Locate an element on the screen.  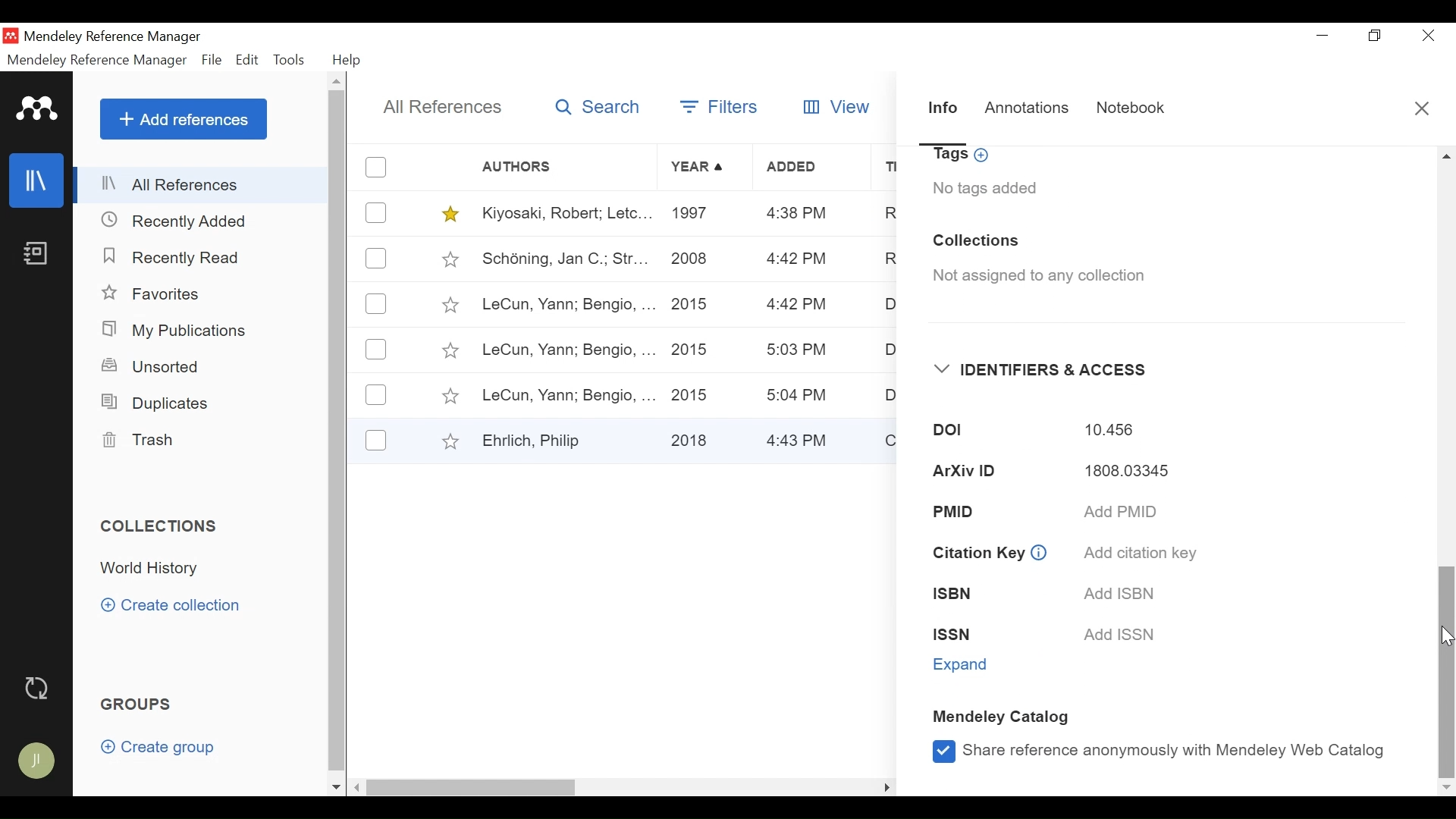
Favorites is located at coordinates (153, 293).